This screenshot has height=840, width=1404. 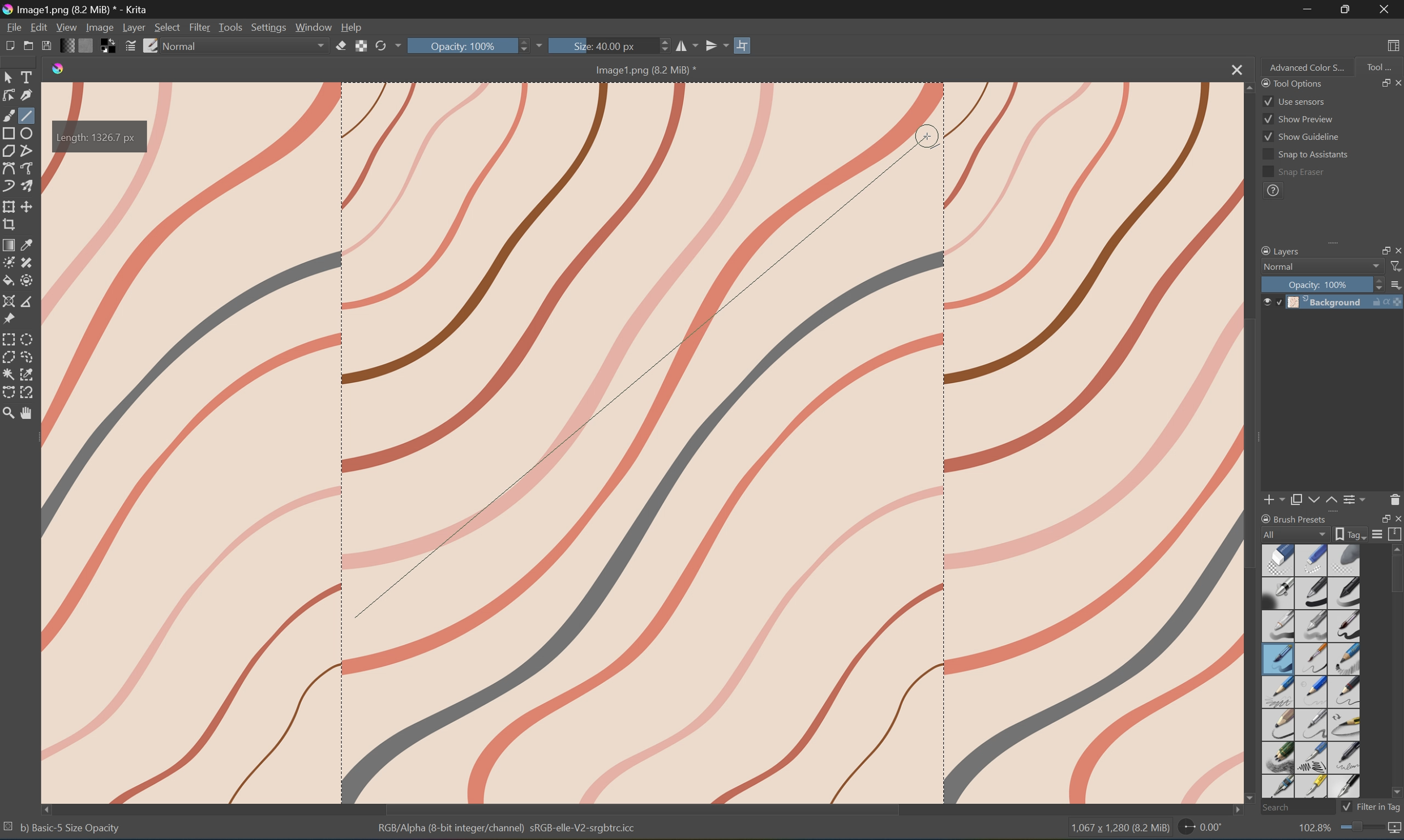 What do you see at coordinates (1294, 517) in the screenshot?
I see `Brush Preset` at bounding box center [1294, 517].